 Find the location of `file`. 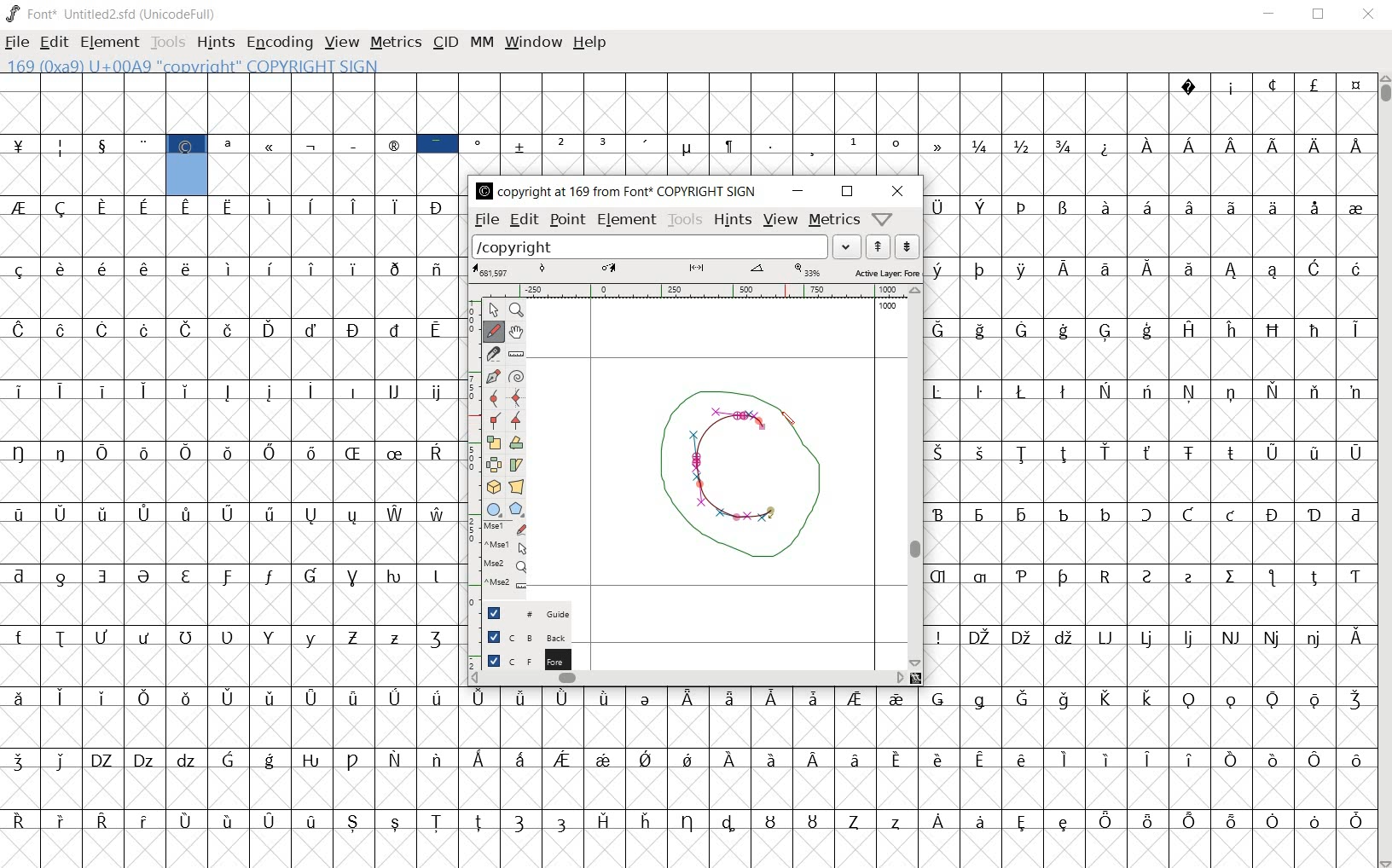

file is located at coordinates (485, 220).